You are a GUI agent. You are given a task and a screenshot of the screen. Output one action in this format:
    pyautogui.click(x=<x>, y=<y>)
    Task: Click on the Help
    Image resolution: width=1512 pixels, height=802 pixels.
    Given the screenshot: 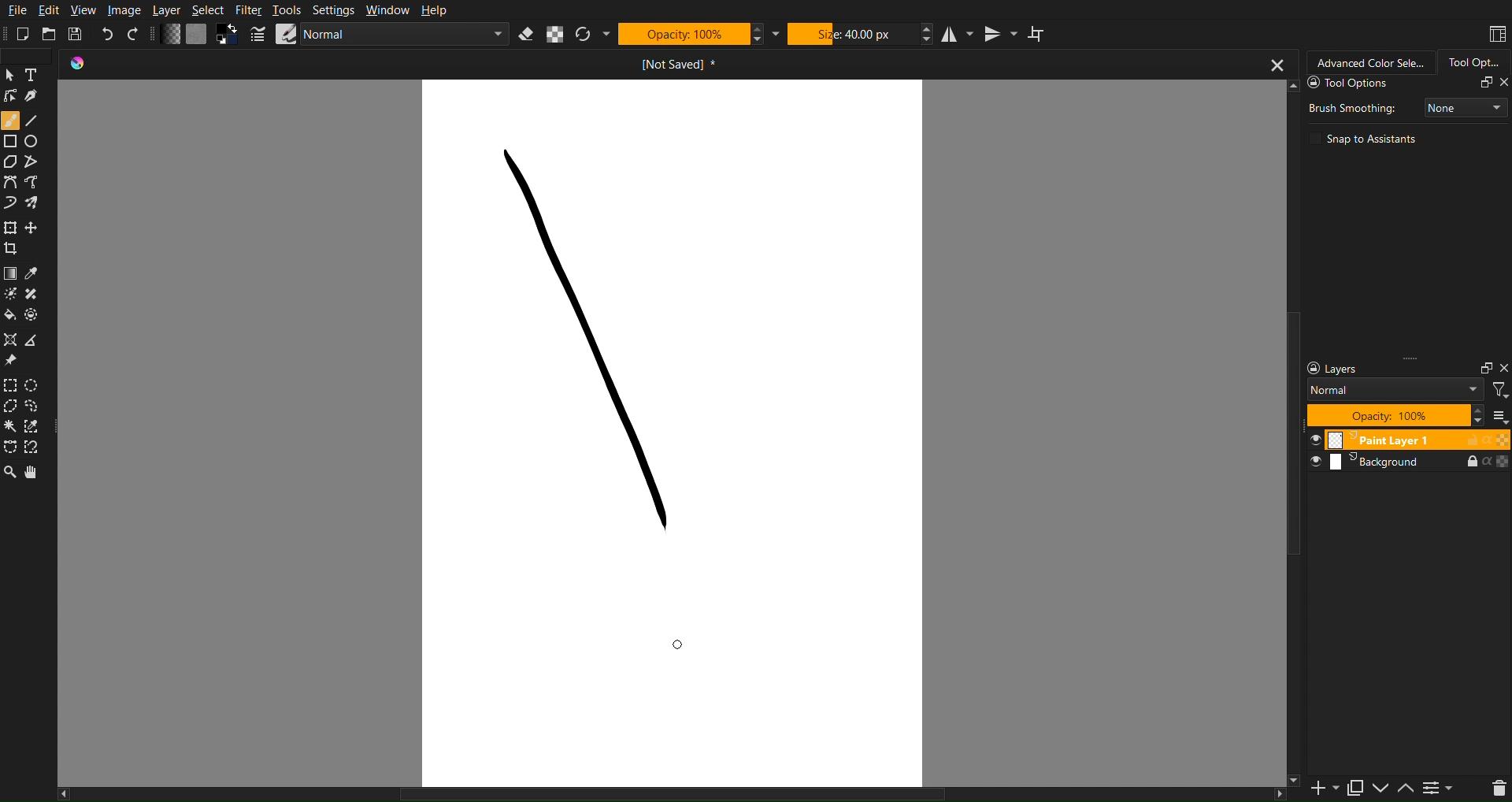 What is the action you would take?
    pyautogui.click(x=435, y=9)
    